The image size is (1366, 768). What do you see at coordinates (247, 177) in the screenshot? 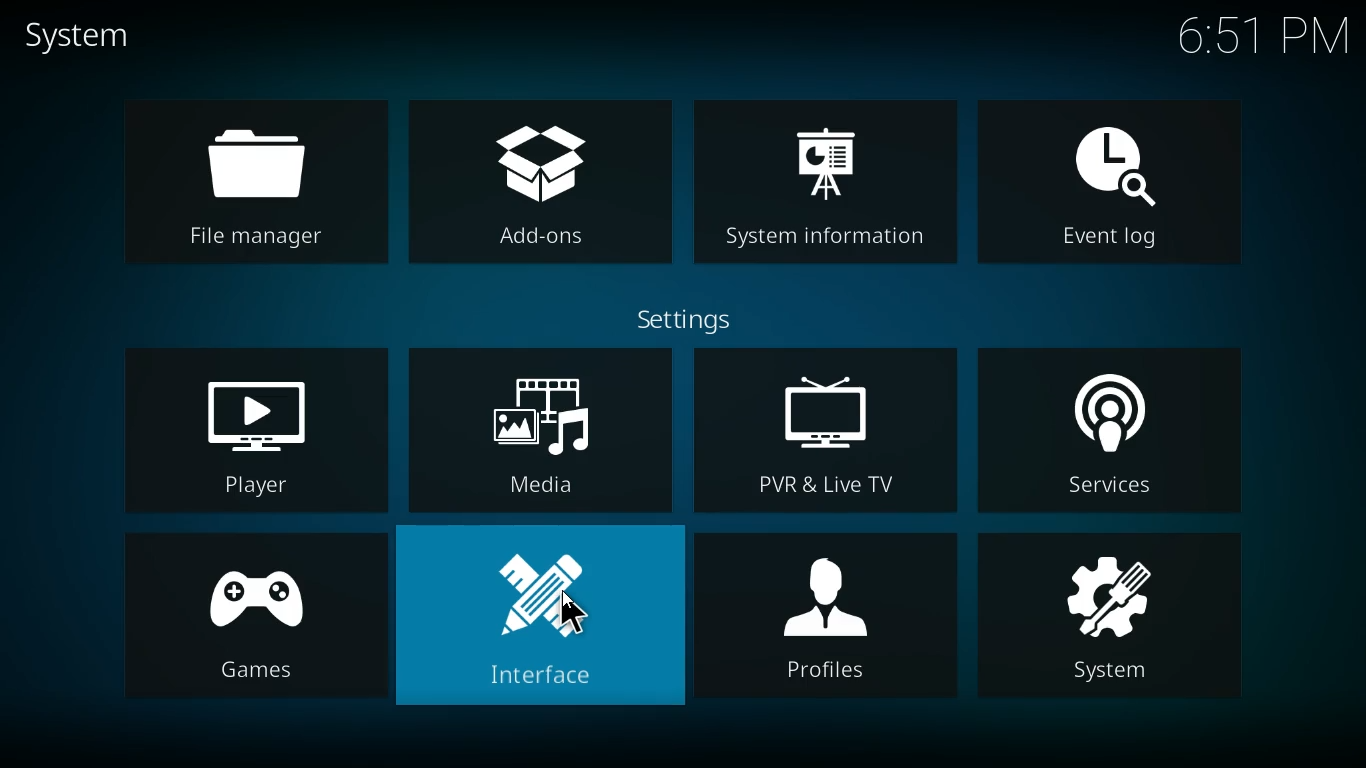
I see `file manager` at bounding box center [247, 177].